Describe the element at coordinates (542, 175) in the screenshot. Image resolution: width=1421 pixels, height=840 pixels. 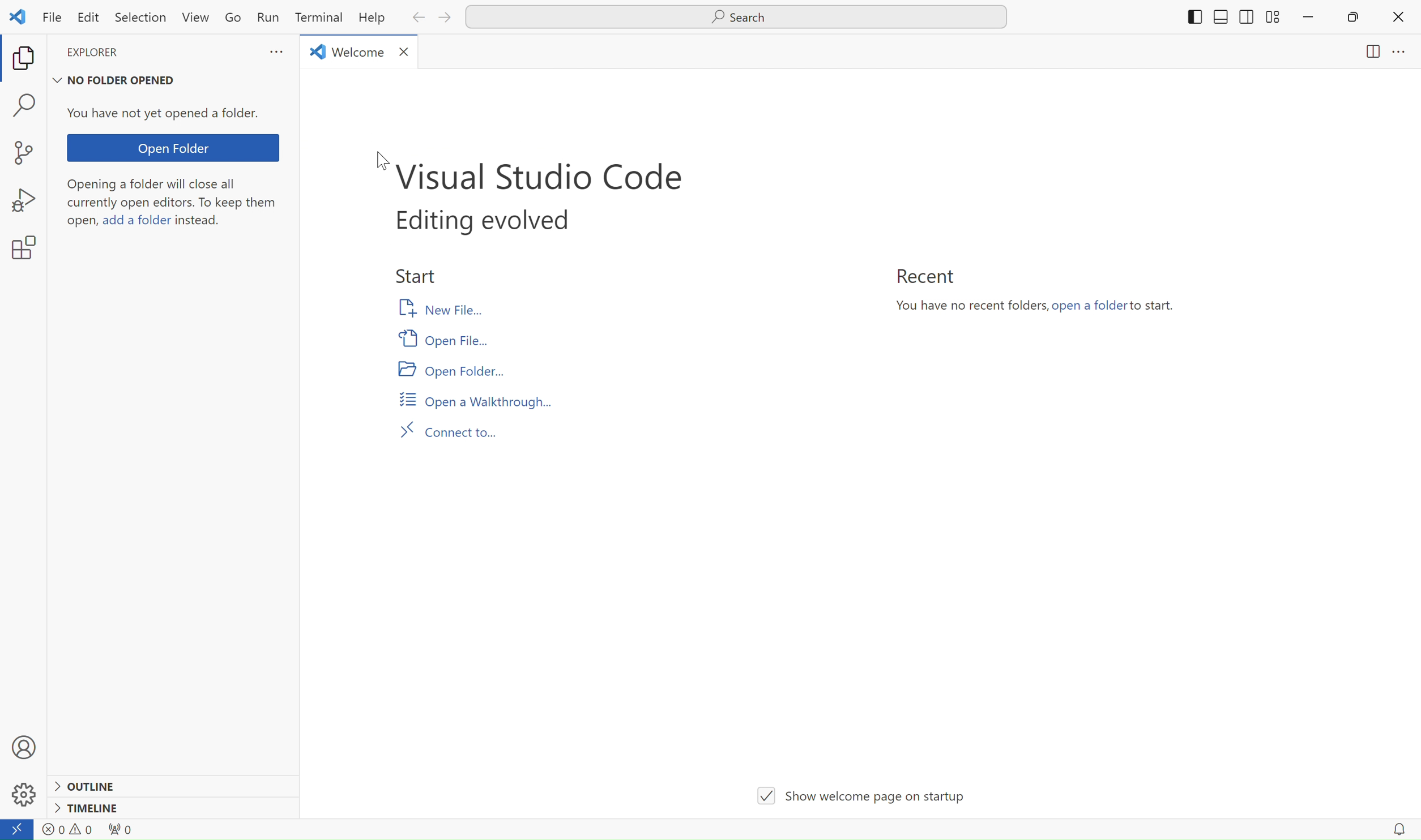
I see `visual studio code` at that location.